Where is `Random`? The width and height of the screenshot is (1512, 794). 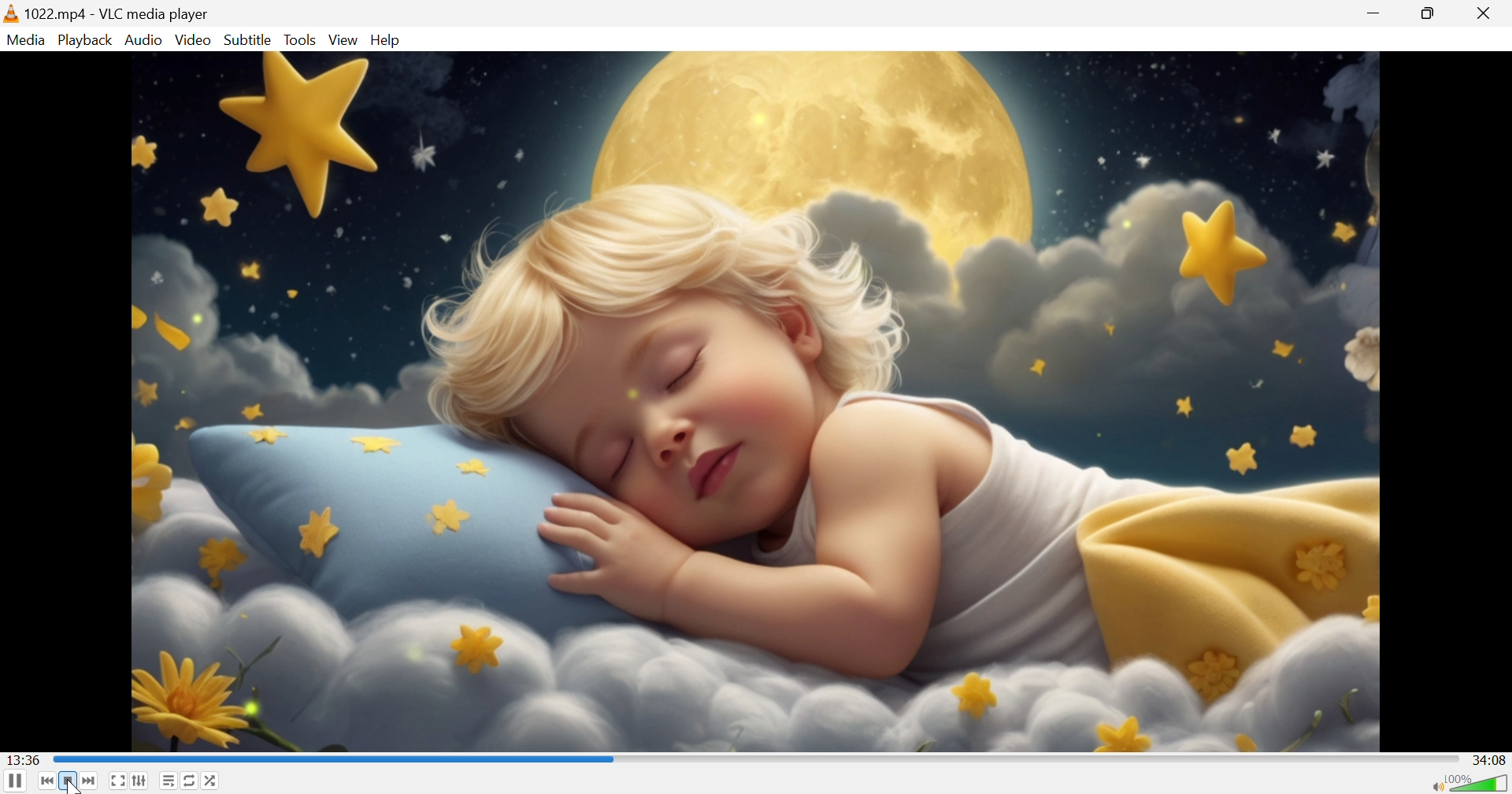
Random is located at coordinates (215, 781).